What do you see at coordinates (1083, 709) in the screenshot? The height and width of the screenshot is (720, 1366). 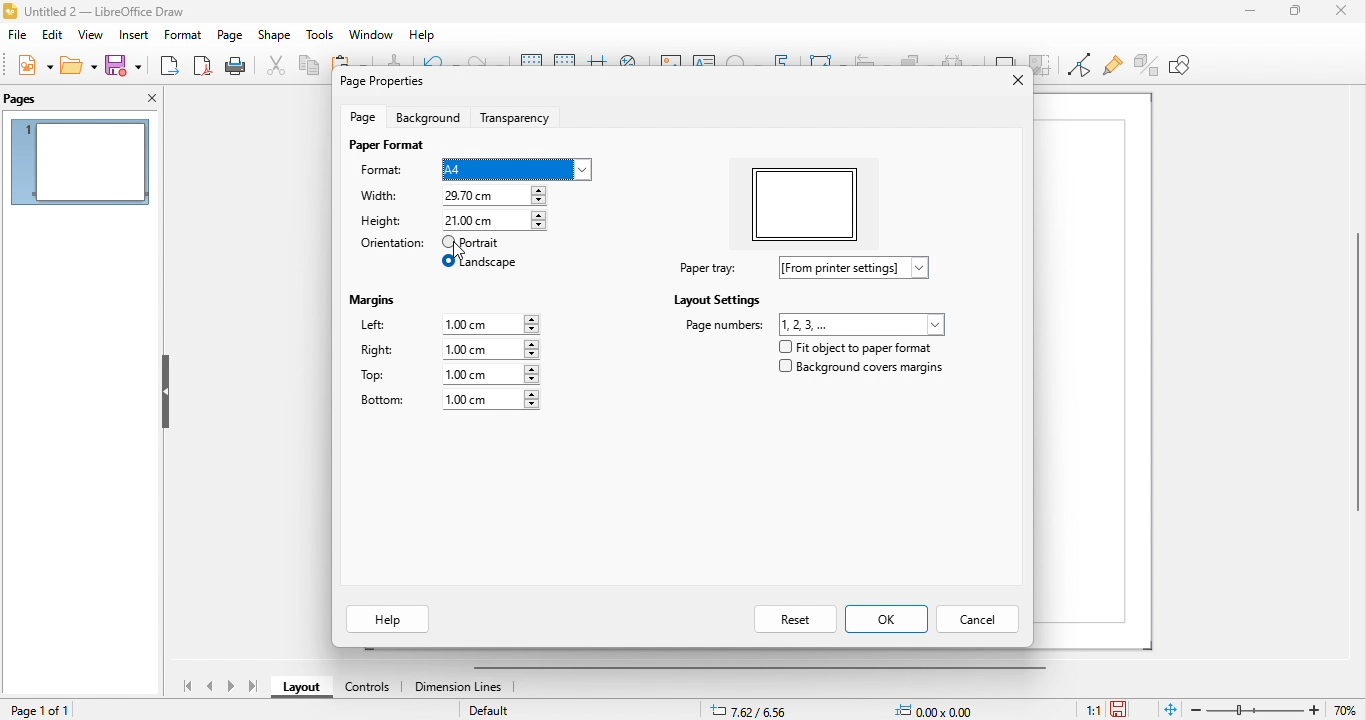 I see `1:1` at bounding box center [1083, 709].